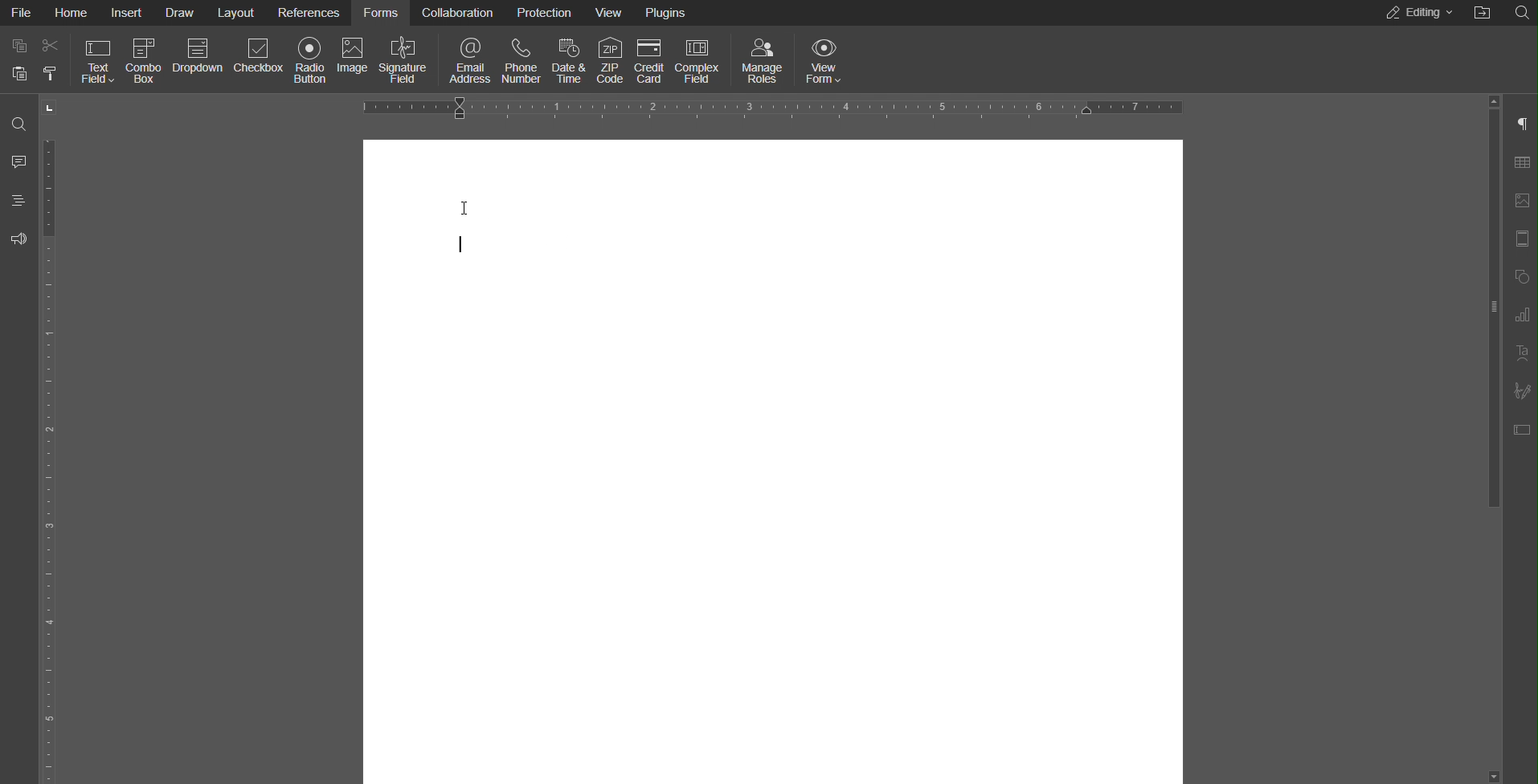 This screenshot has width=1538, height=784. I want to click on Header and Footer, so click(1520, 239).